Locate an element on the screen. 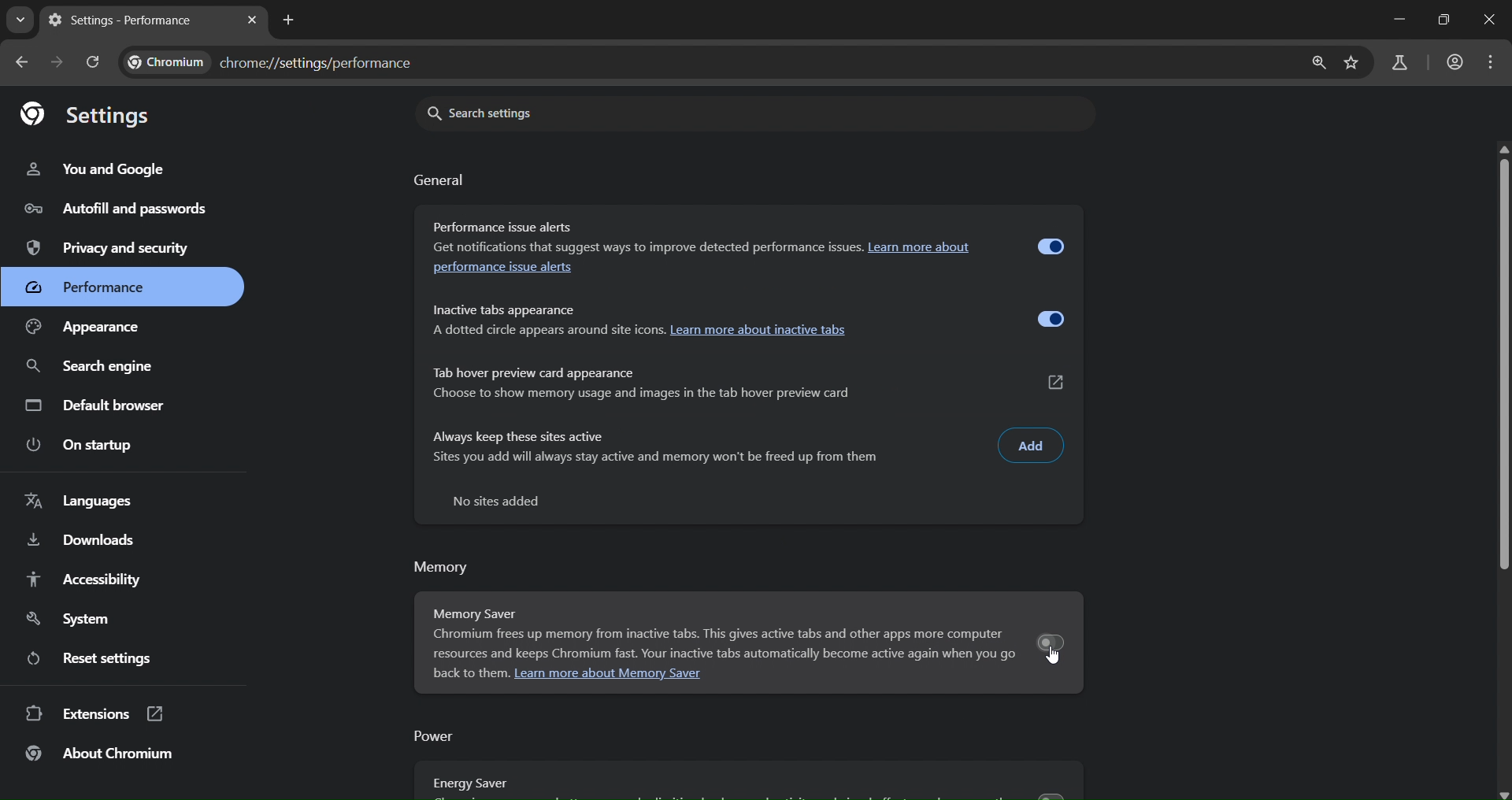 The image size is (1512, 800). autofill and passwords is located at coordinates (121, 210).